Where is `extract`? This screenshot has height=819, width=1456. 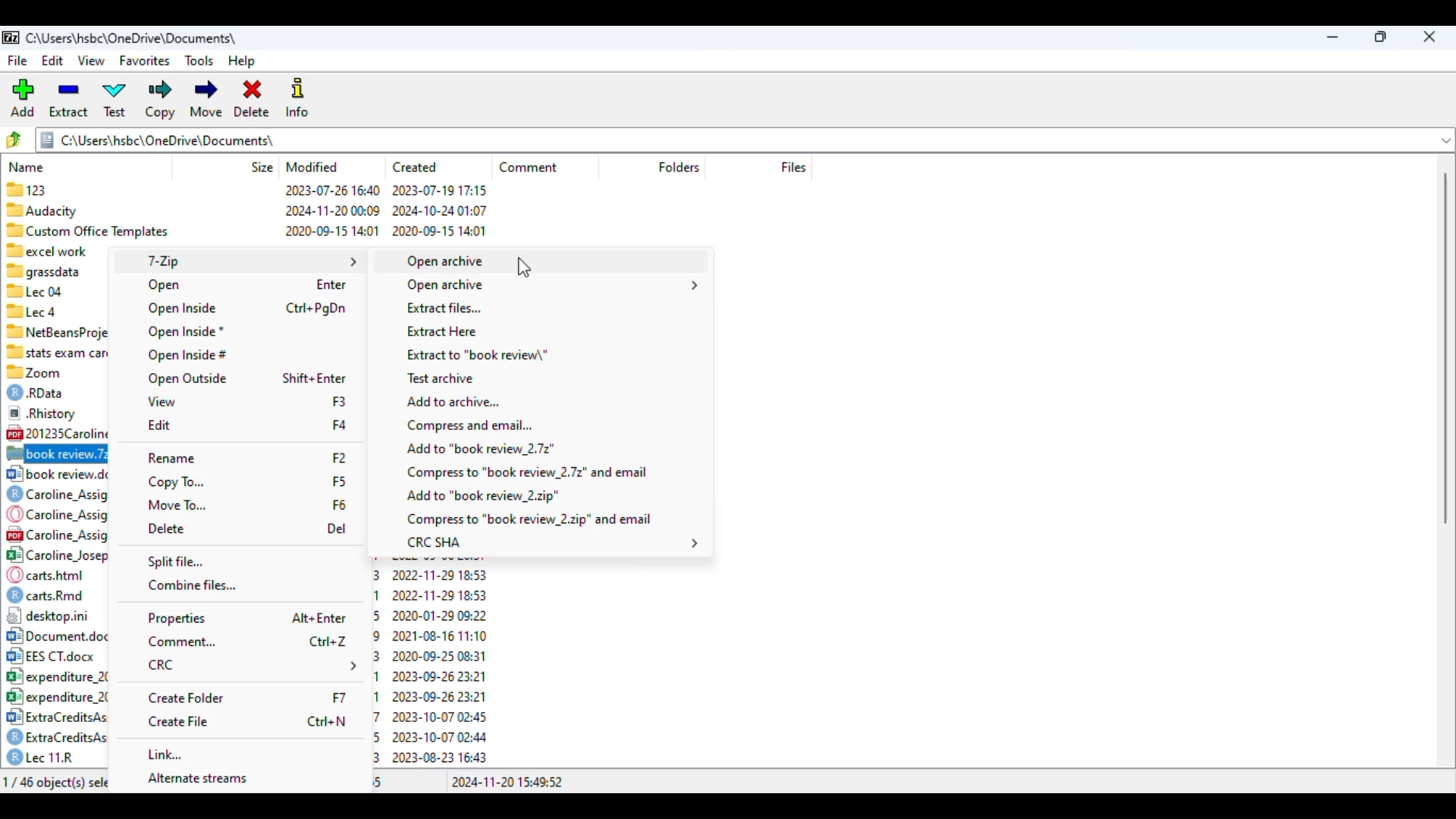 extract is located at coordinates (68, 99).